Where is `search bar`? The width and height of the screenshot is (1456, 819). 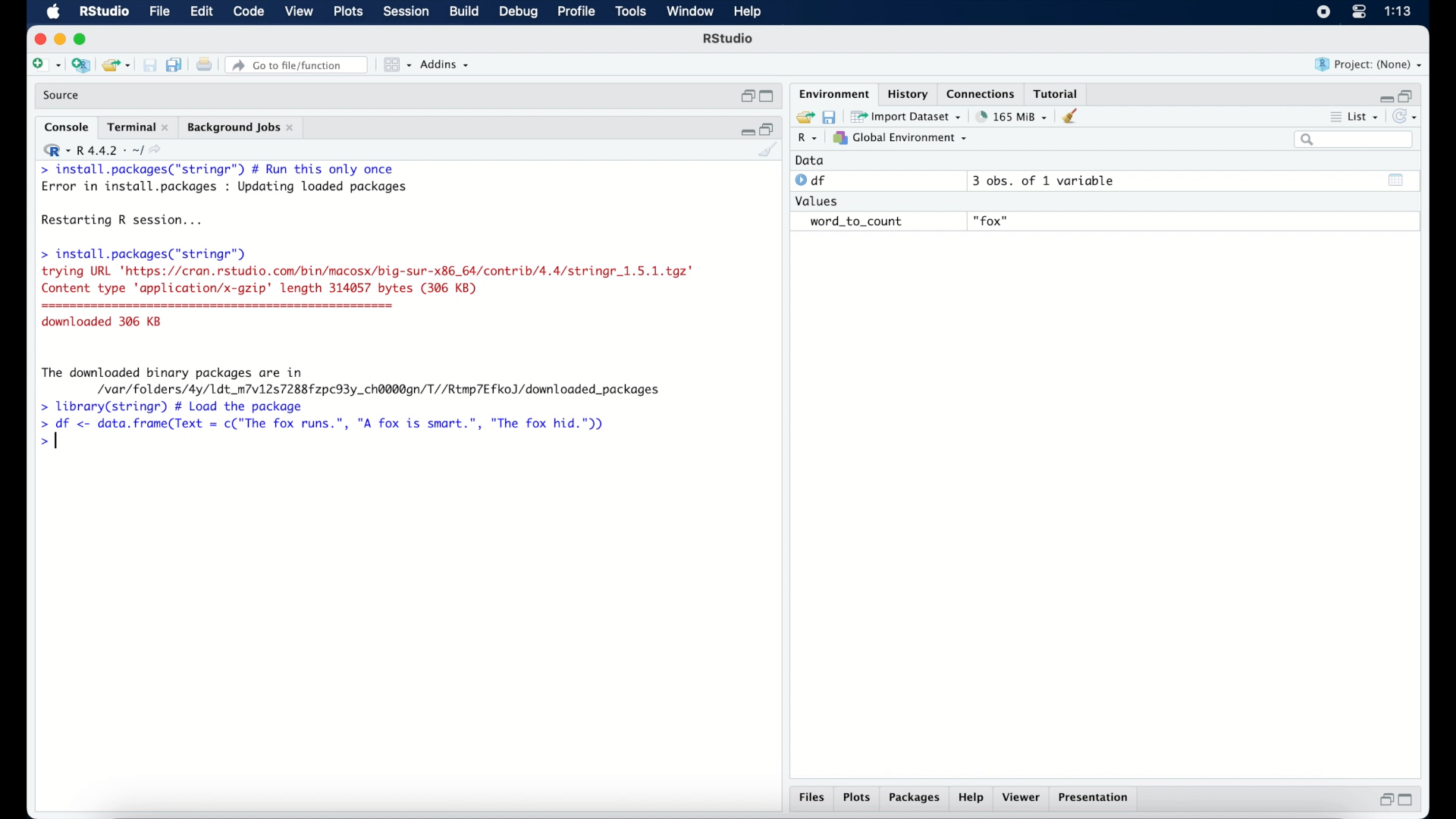
search bar is located at coordinates (1356, 140).